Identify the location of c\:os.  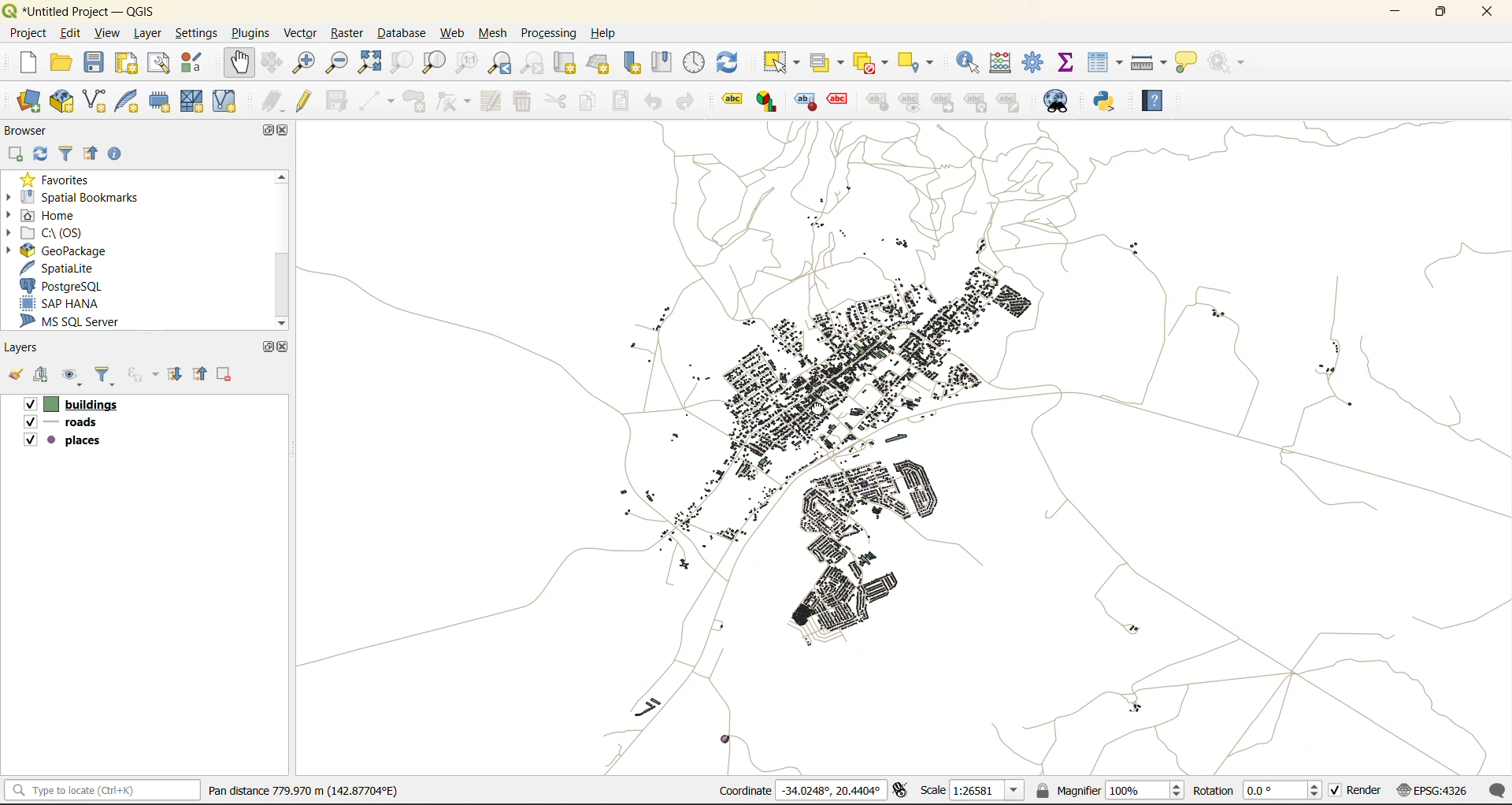
(56, 233).